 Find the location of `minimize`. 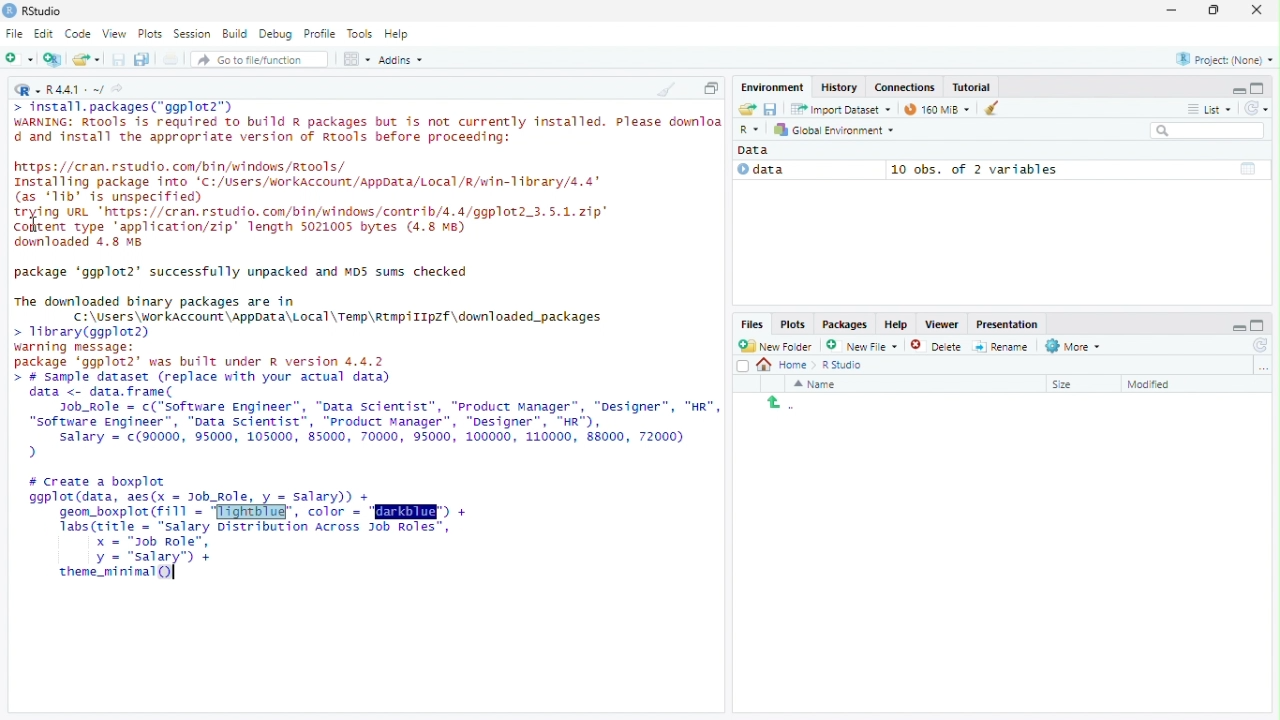

minimize is located at coordinates (1173, 11).